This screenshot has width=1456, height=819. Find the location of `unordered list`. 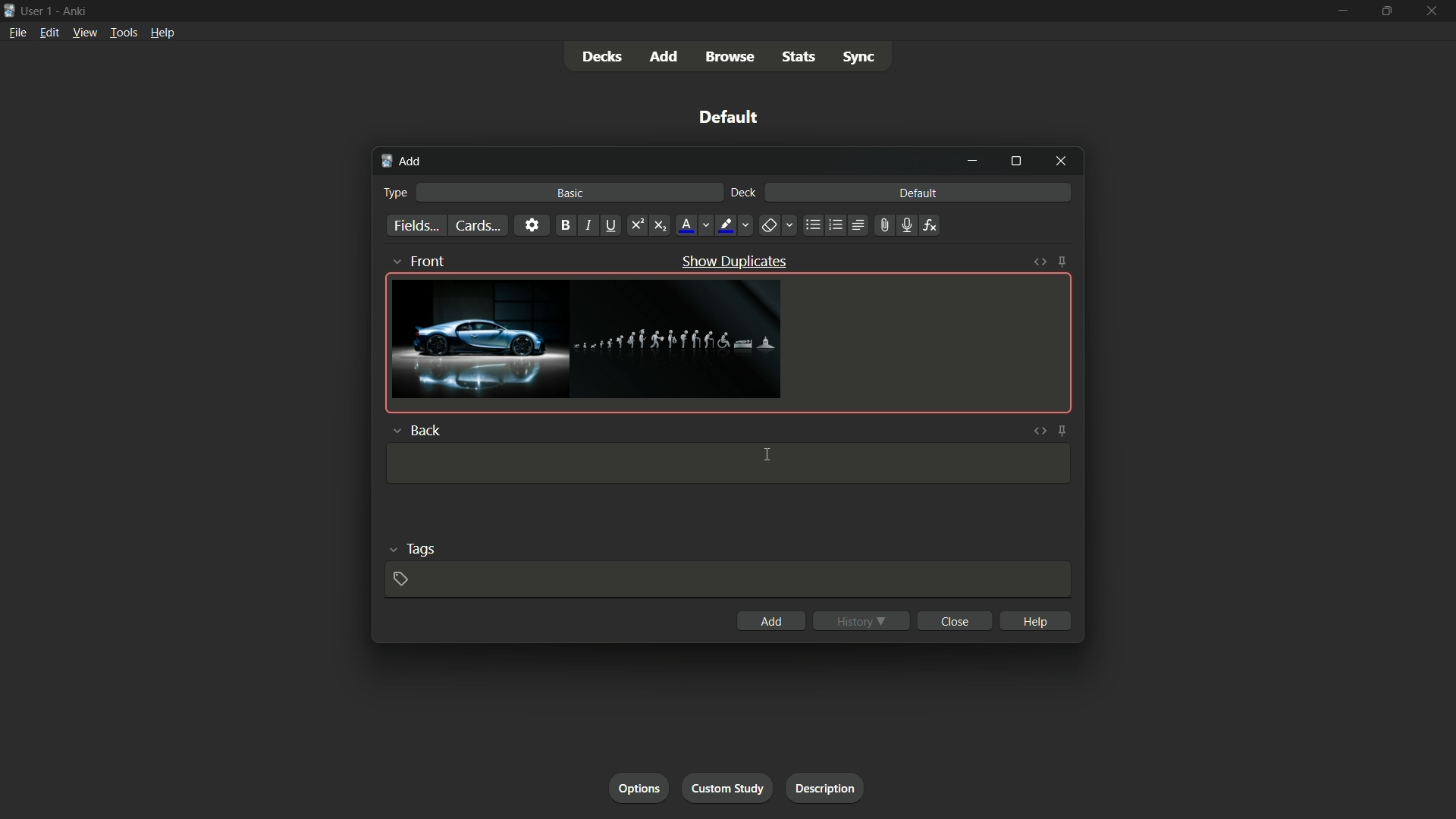

unordered list is located at coordinates (814, 225).